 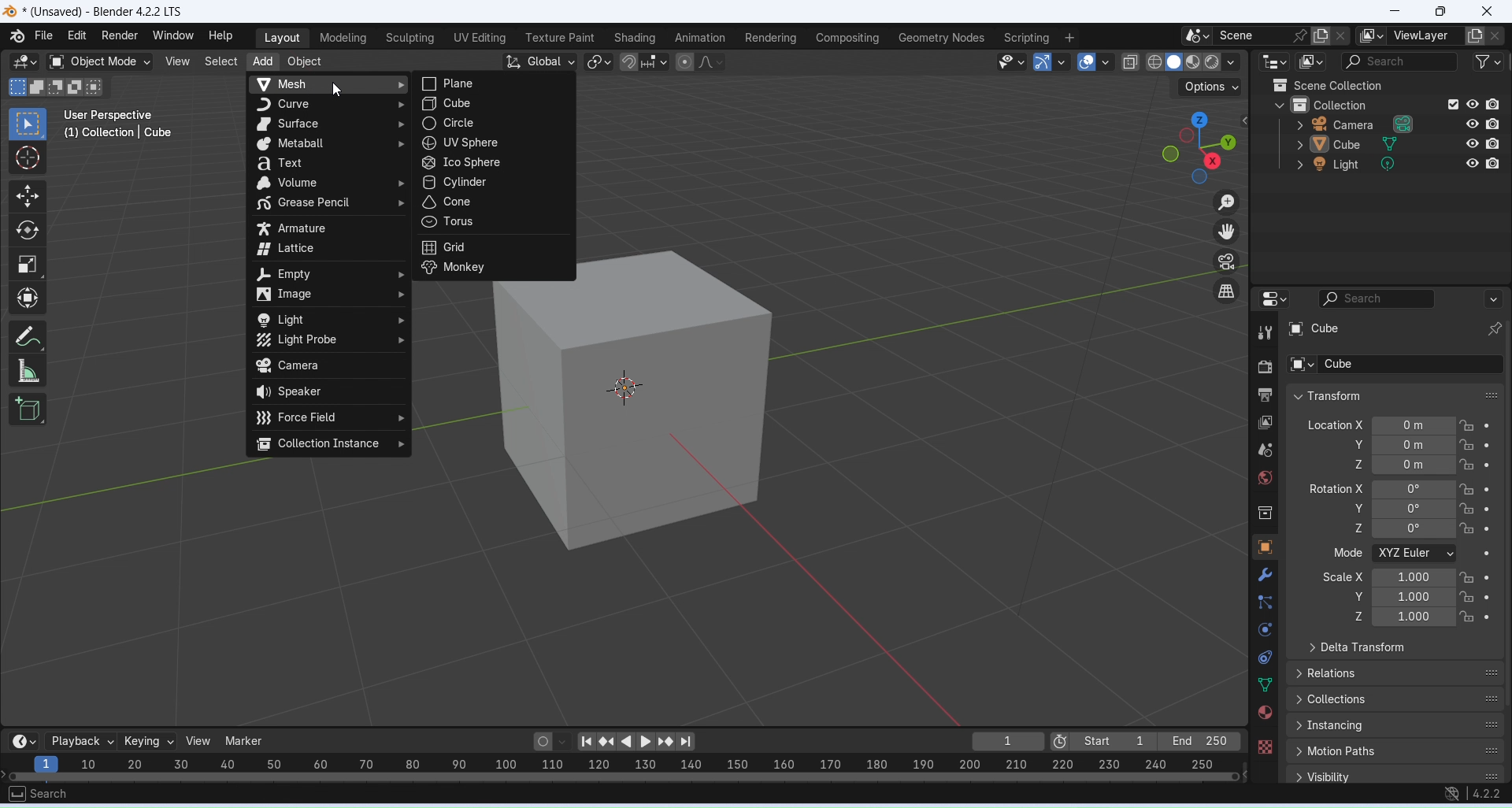 I want to click on Add, so click(x=261, y=61).